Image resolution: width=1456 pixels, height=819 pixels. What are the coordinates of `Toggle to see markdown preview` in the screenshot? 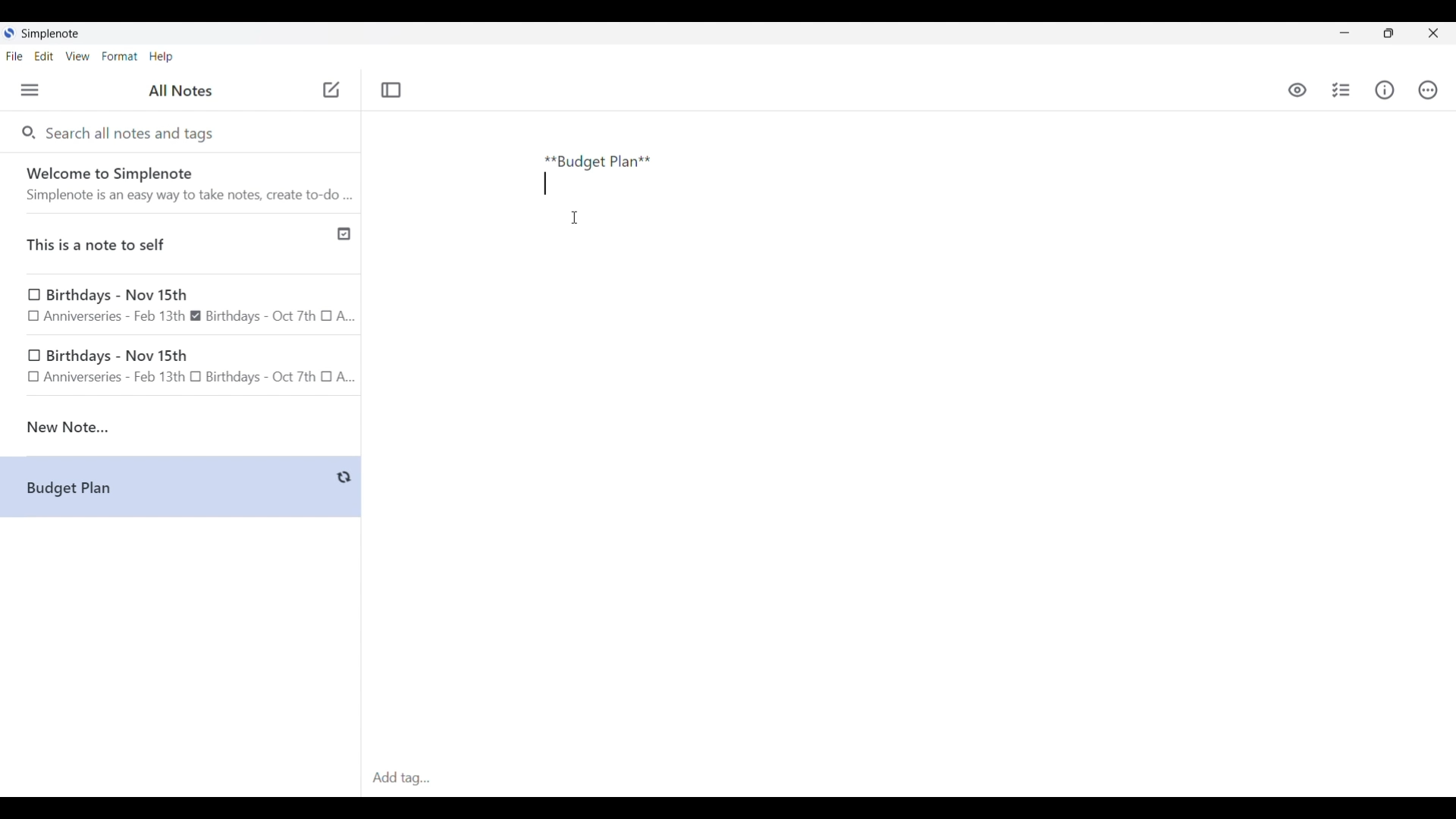 It's located at (1298, 90).